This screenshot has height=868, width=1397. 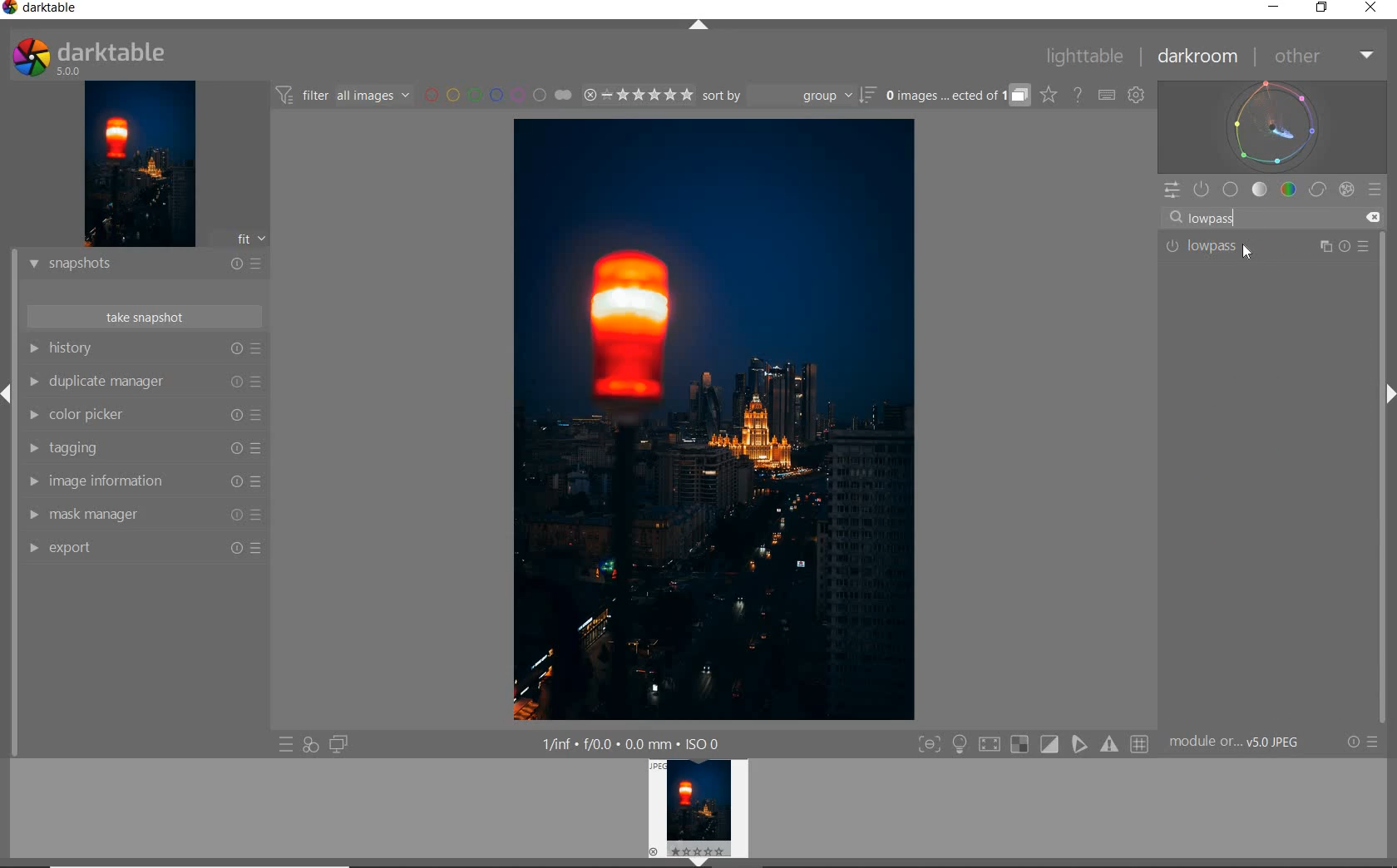 What do you see at coordinates (112, 350) in the screenshot?
I see `HISTORY` at bounding box center [112, 350].